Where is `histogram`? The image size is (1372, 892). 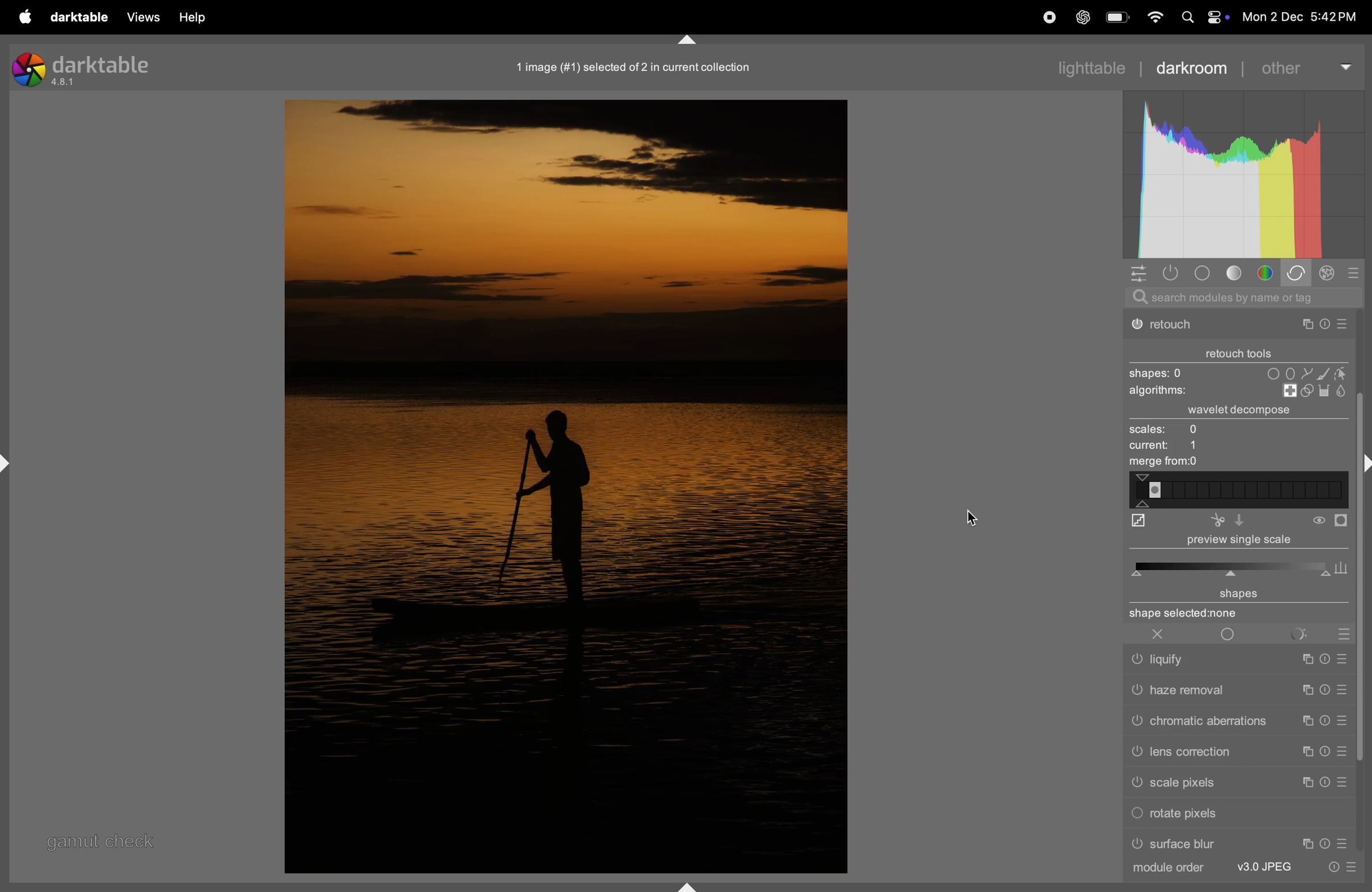
histogram is located at coordinates (1241, 174).